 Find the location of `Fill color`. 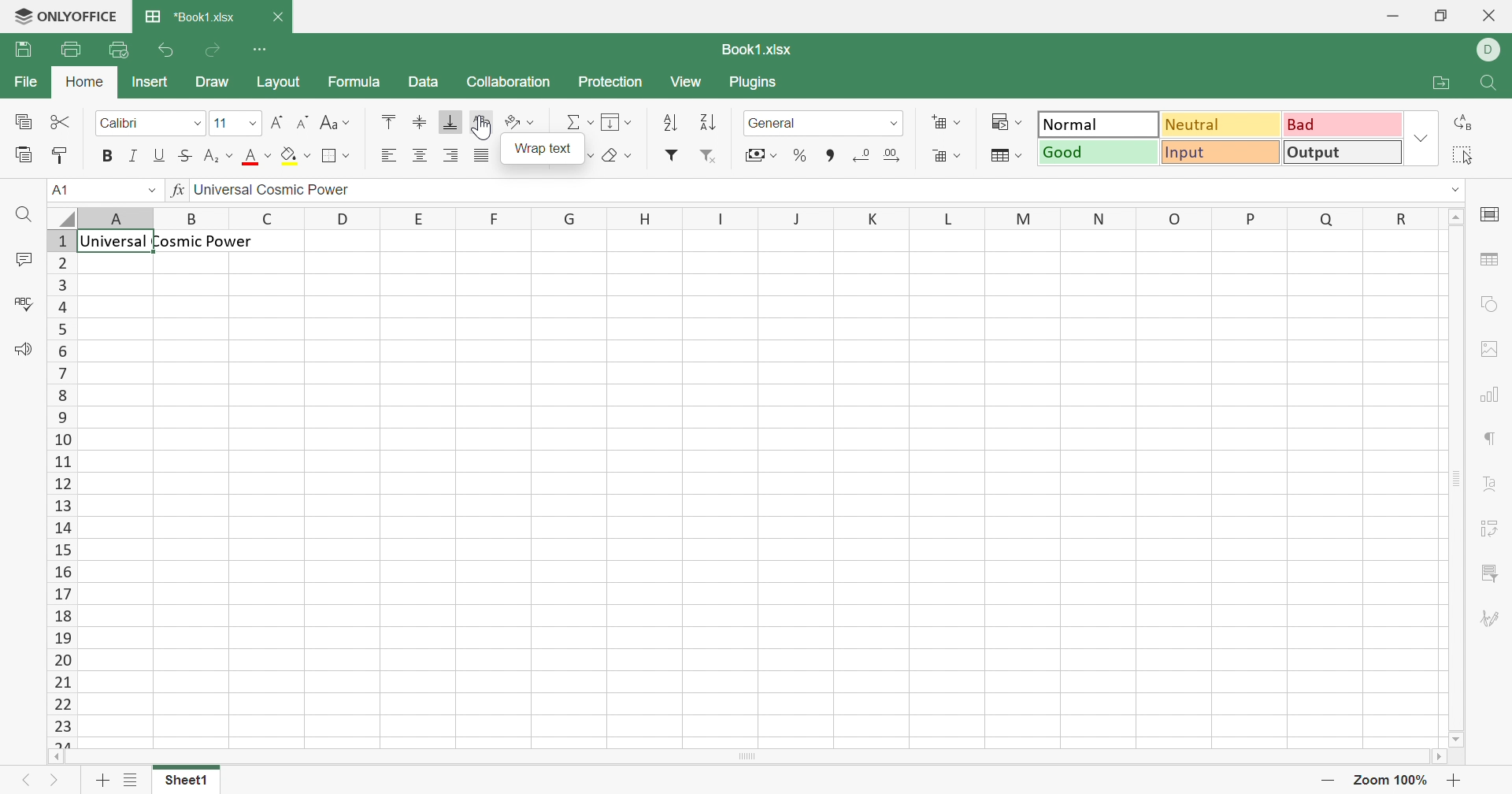

Fill color is located at coordinates (298, 155).